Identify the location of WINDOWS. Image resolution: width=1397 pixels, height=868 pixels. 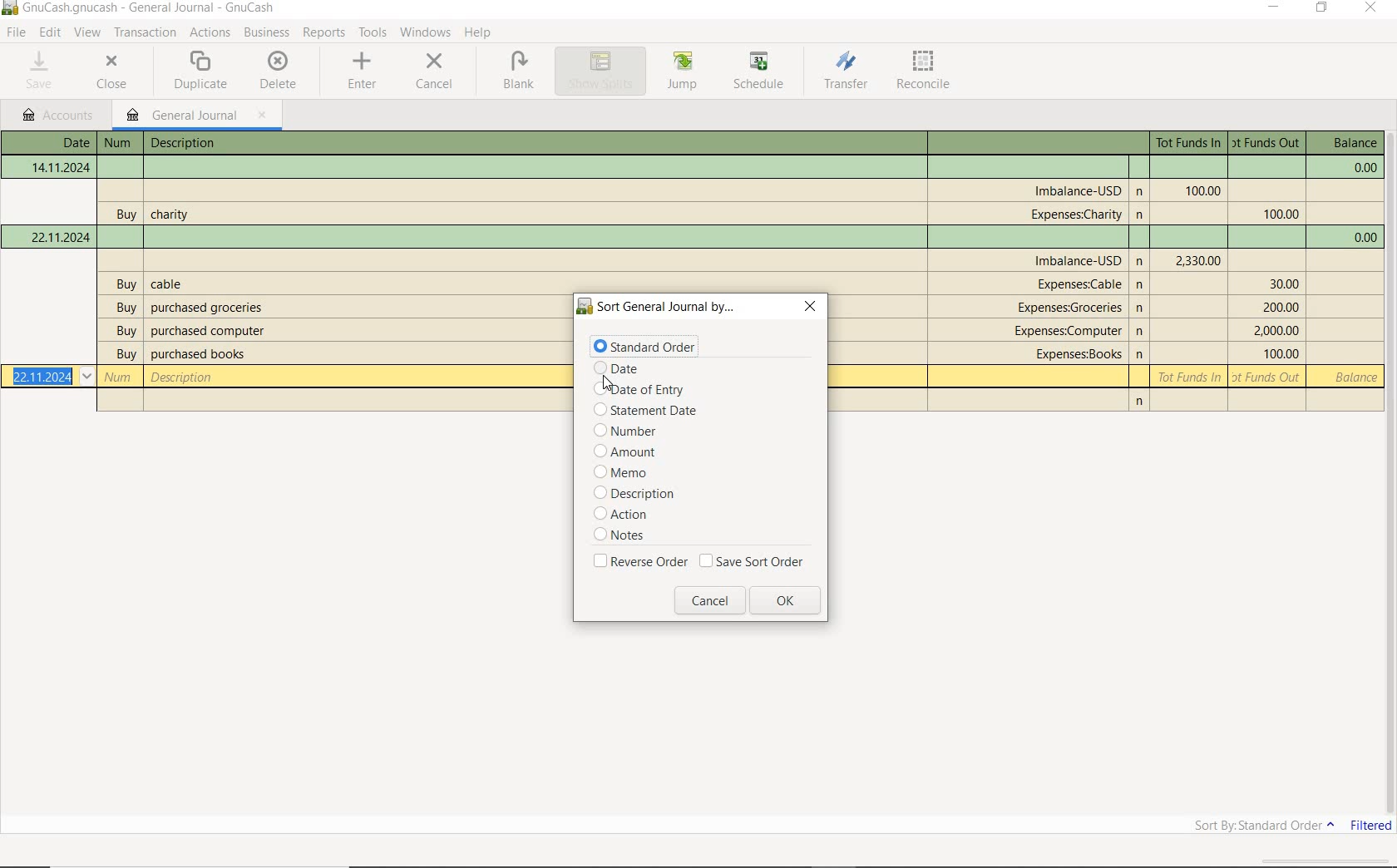
(426, 32).